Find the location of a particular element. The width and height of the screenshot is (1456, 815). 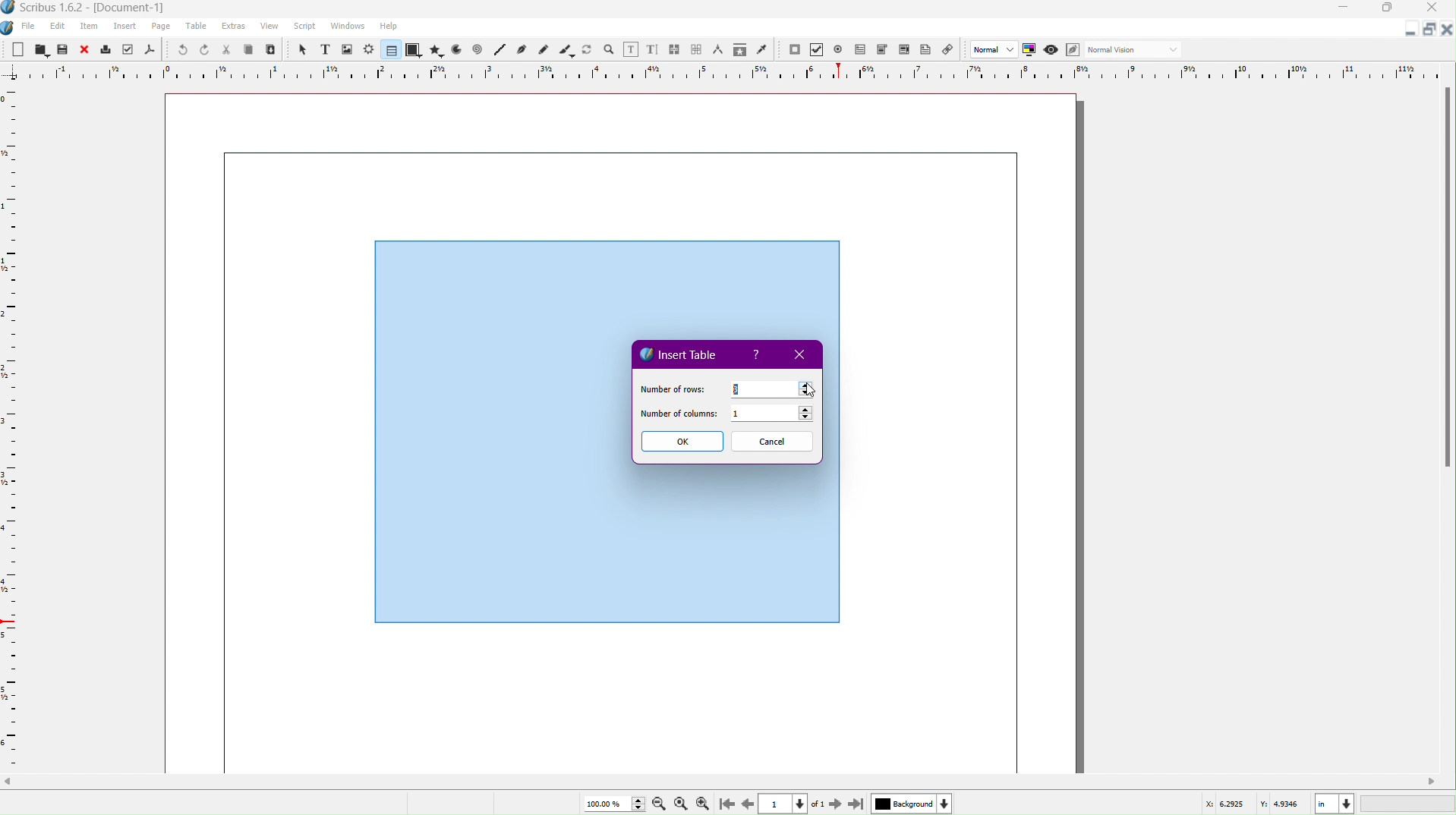

Go to First Page is located at coordinates (730, 803).